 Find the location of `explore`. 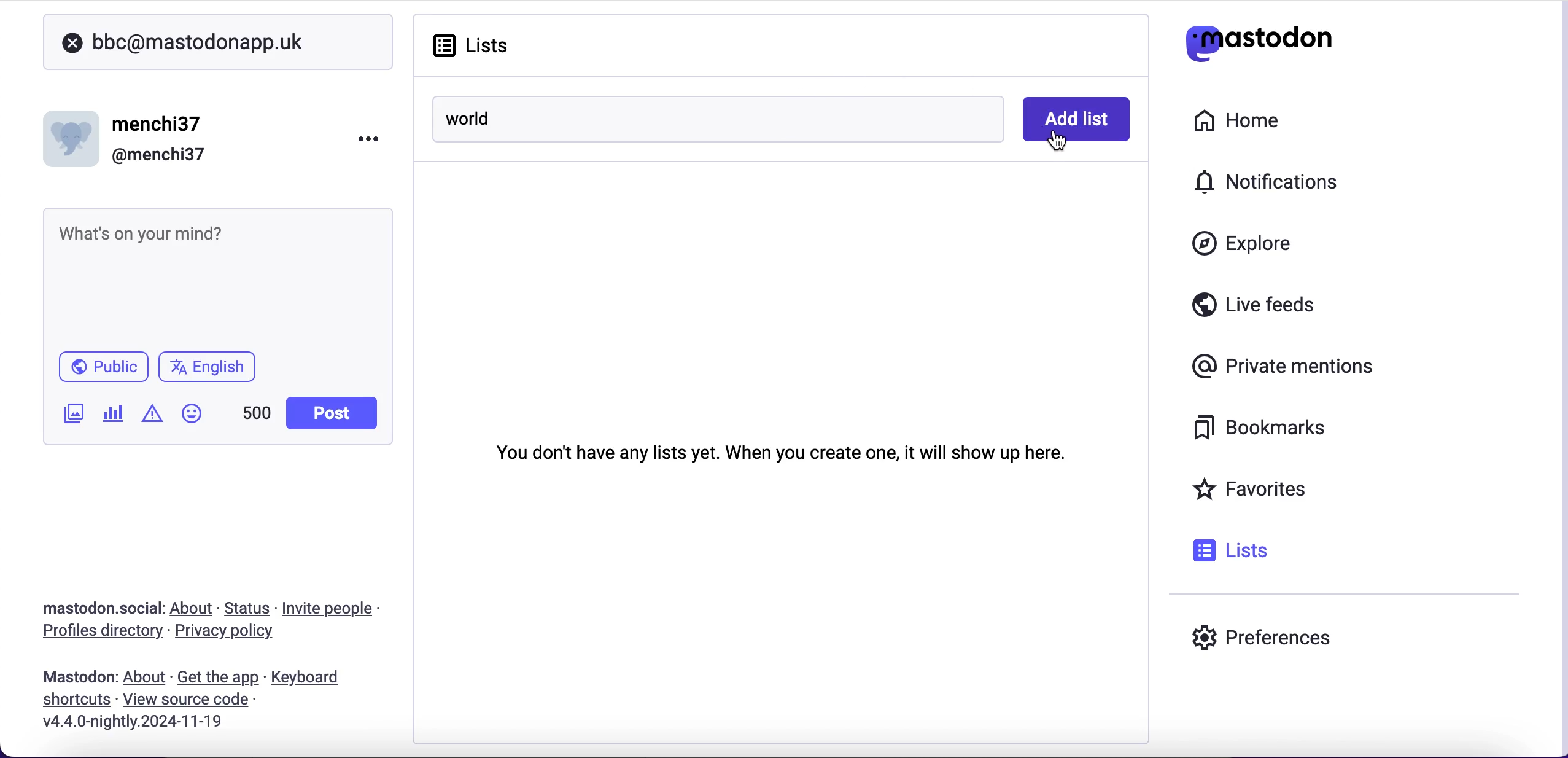

explore is located at coordinates (1254, 244).